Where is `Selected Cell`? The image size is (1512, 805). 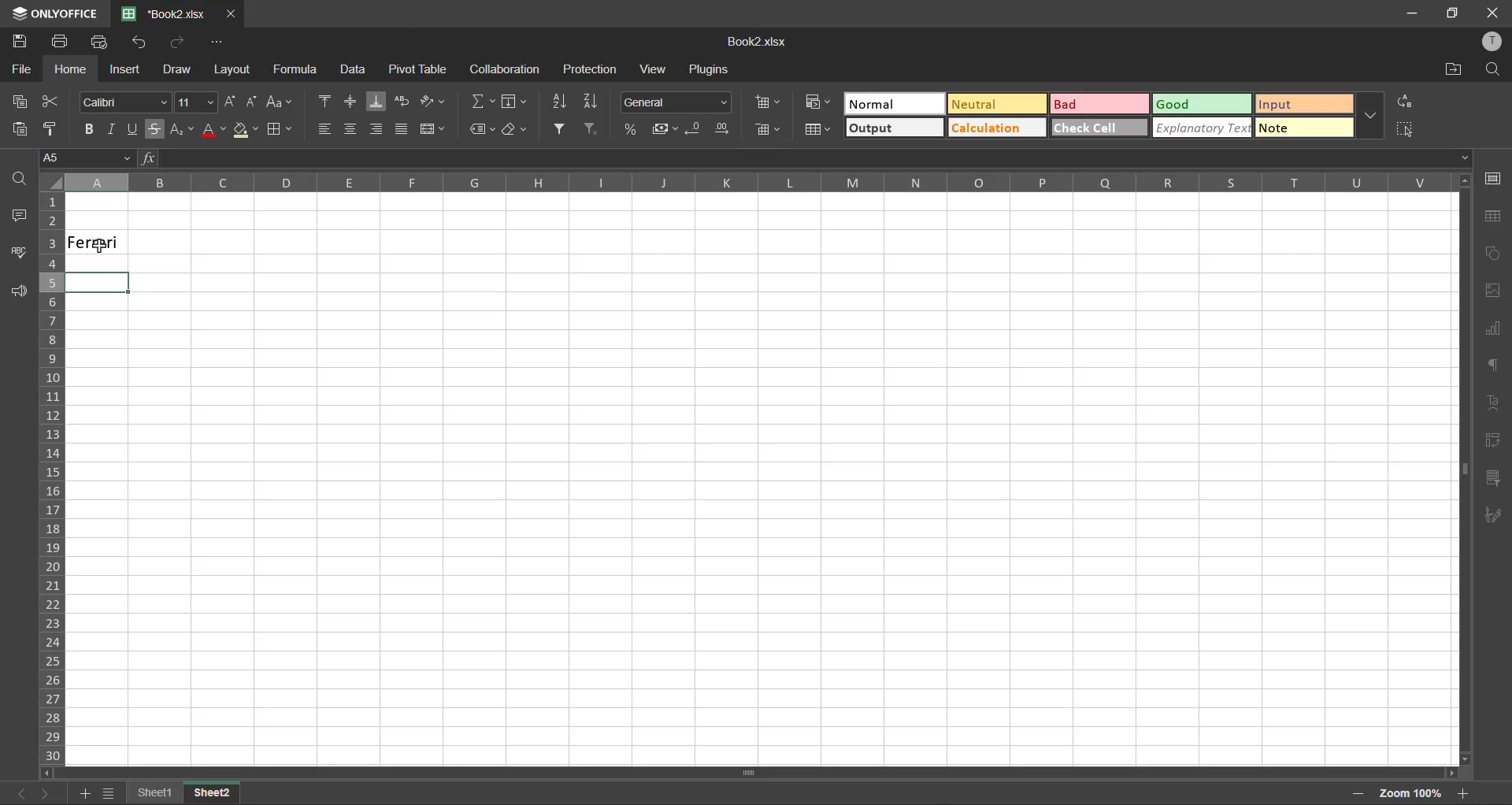 Selected Cell is located at coordinates (98, 282).